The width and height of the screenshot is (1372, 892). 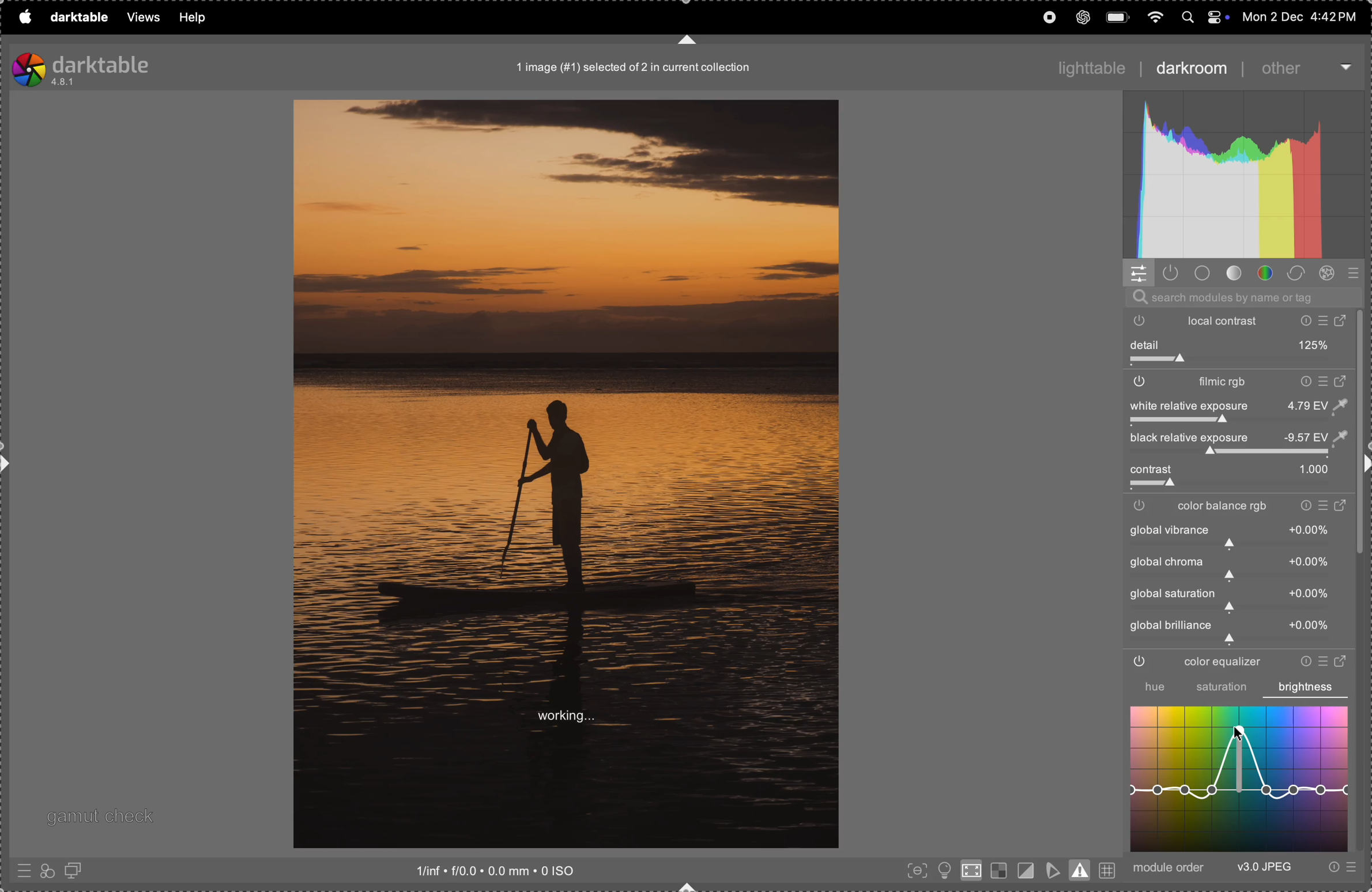 What do you see at coordinates (1234, 274) in the screenshot?
I see `tone` at bounding box center [1234, 274].